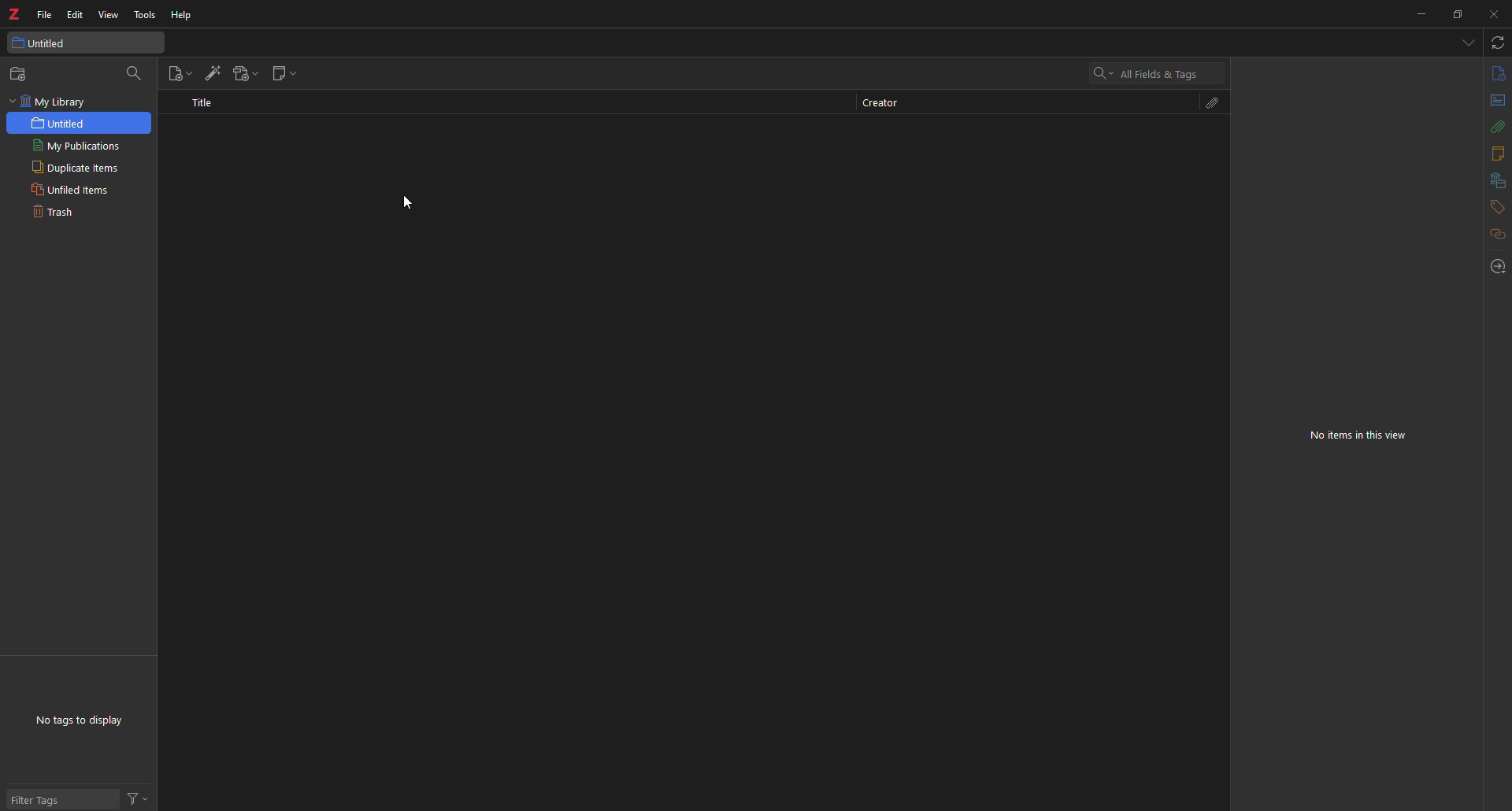 This screenshot has width=1512, height=811. What do you see at coordinates (76, 14) in the screenshot?
I see `edit` at bounding box center [76, 14].